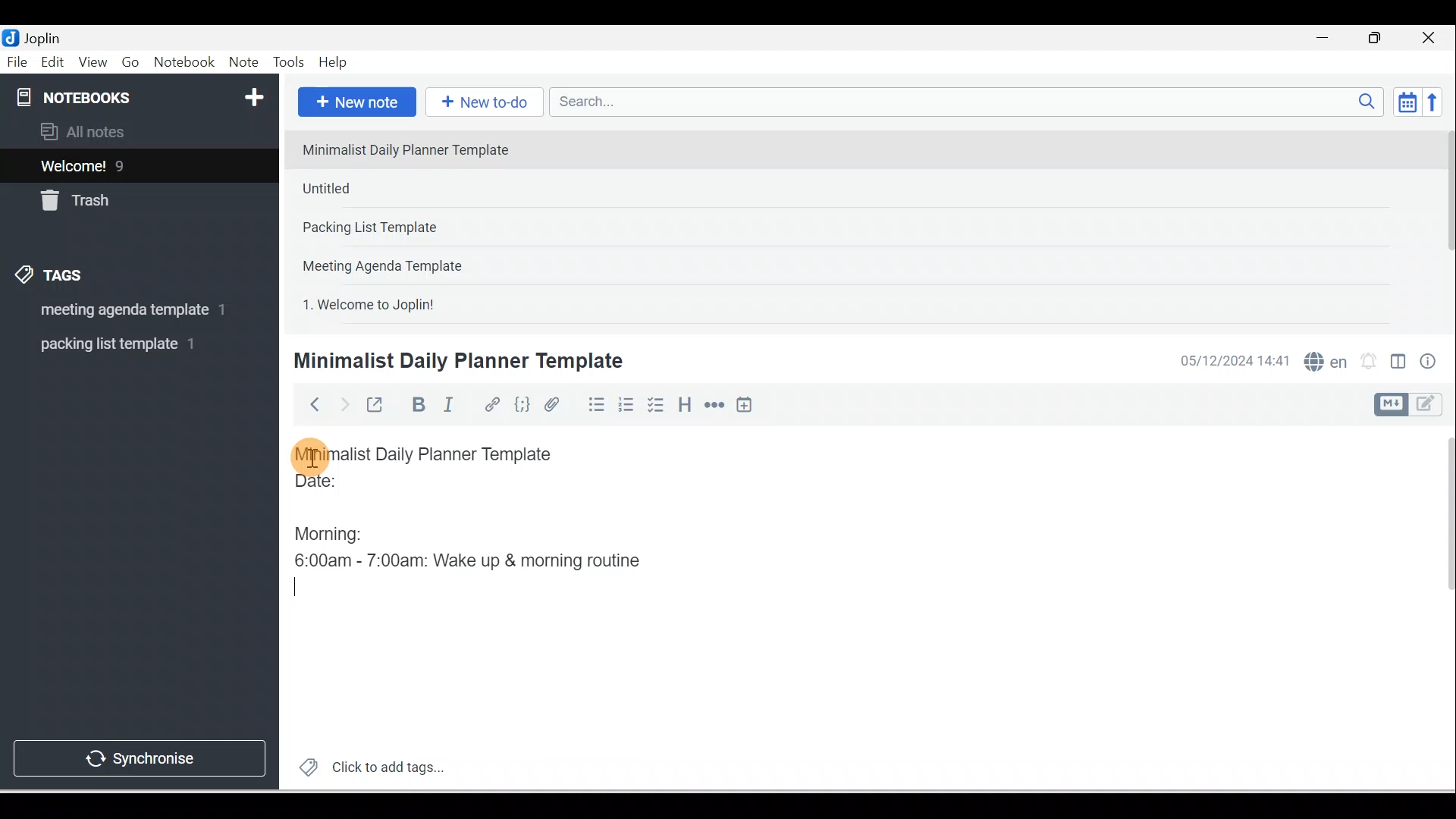 The width and height of the screenshot is (1456, 819). Describe the element at coordinates (93, 63) in the screenshot. I see `View` at that location.